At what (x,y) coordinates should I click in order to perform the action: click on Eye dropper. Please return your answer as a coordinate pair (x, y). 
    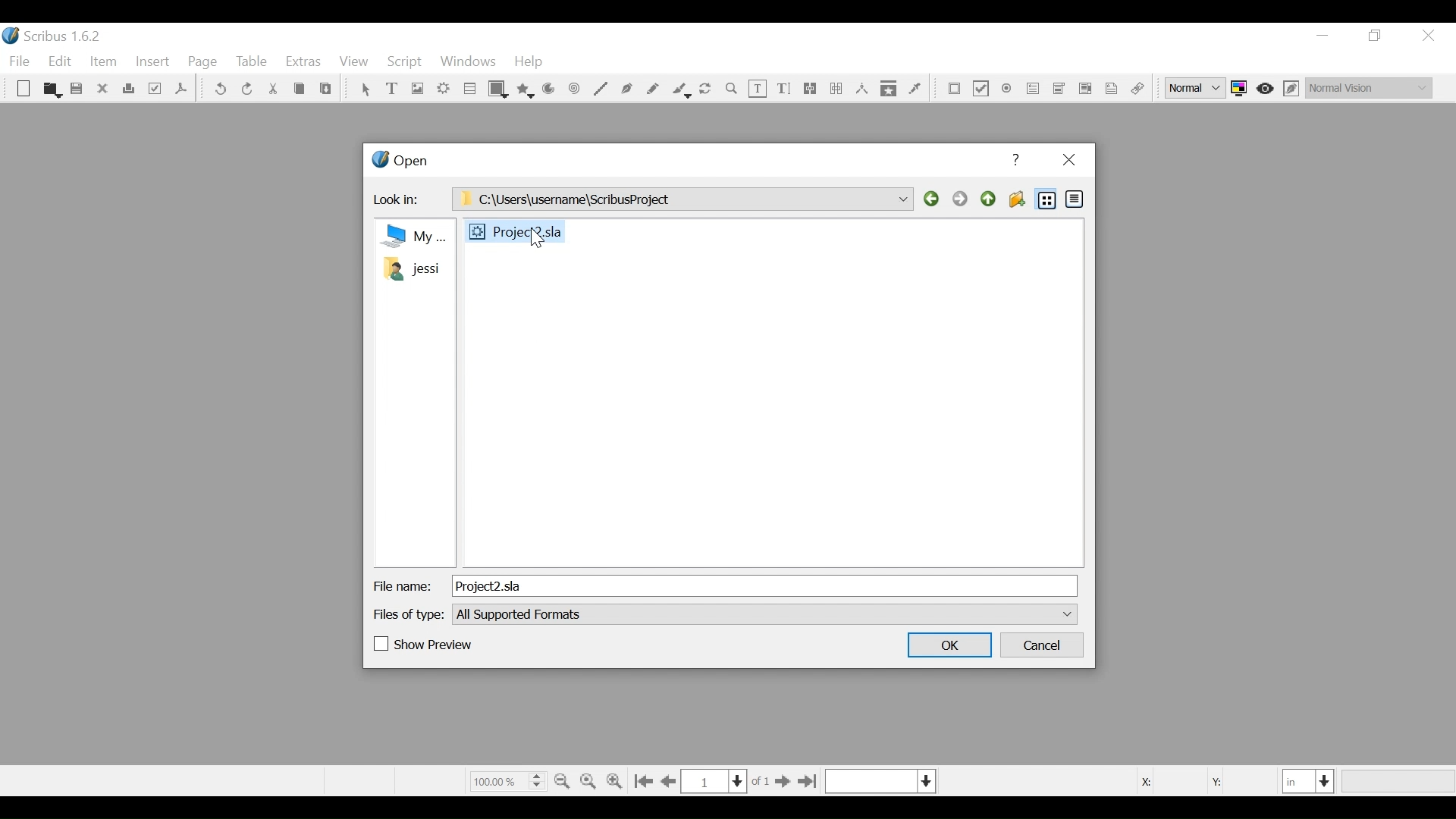
    Looking at the image, I should click on (915, 88).